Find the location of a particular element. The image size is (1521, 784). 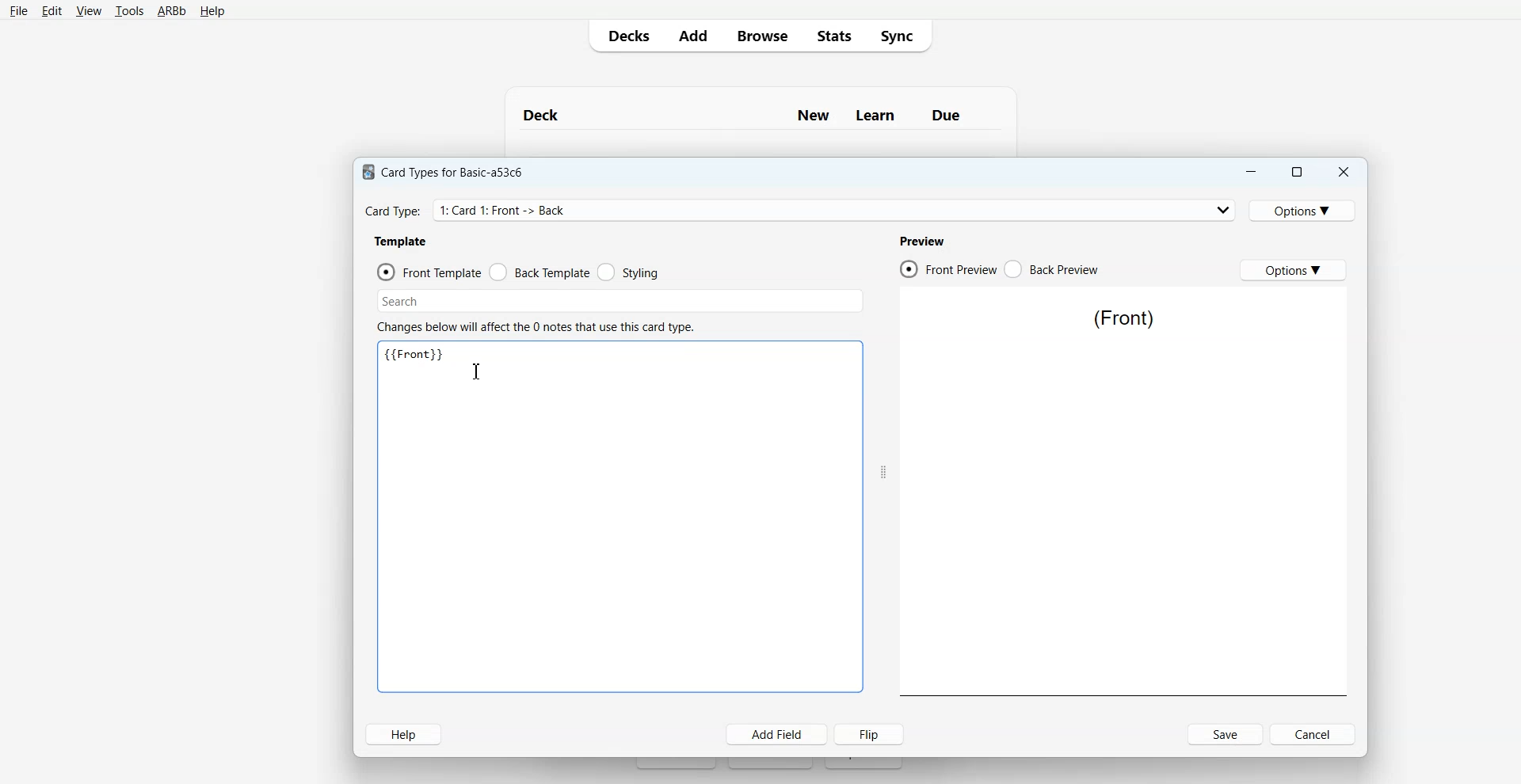

Preview is located at coordinates (921, 241).